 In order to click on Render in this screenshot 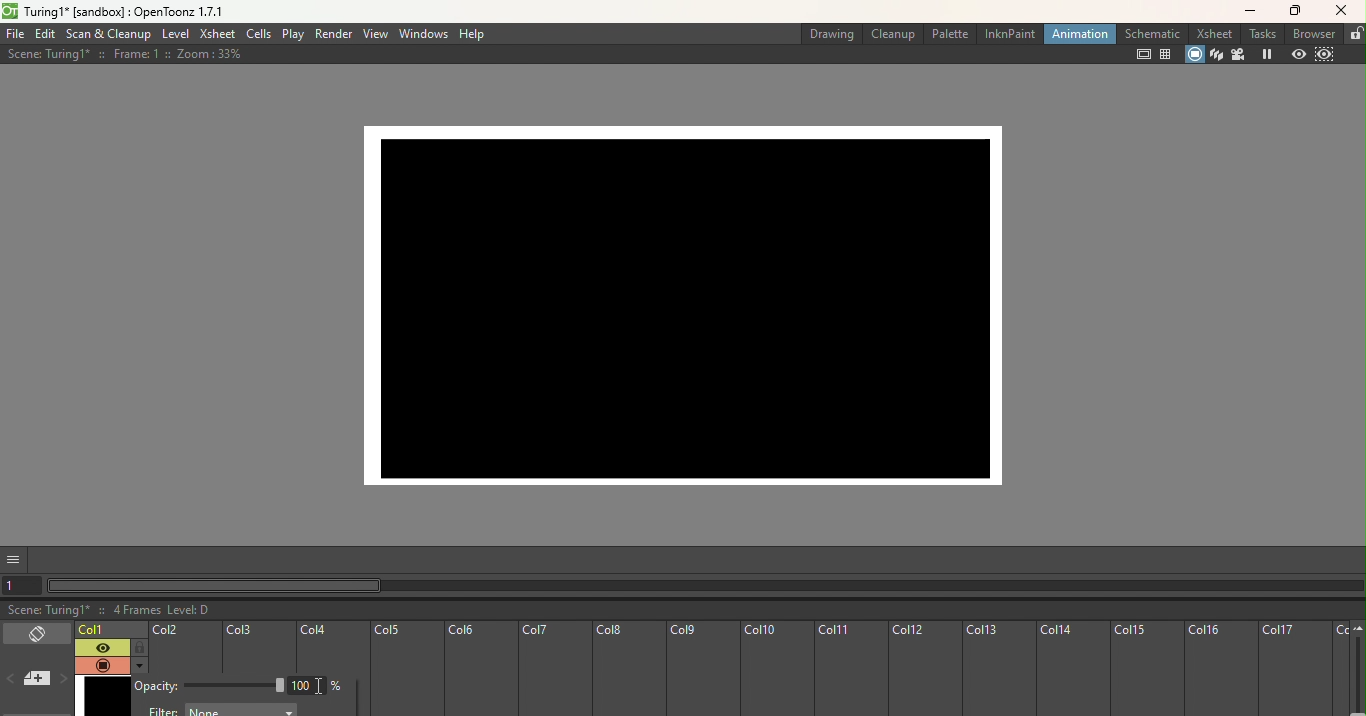, I will do `click(334, 34)`.